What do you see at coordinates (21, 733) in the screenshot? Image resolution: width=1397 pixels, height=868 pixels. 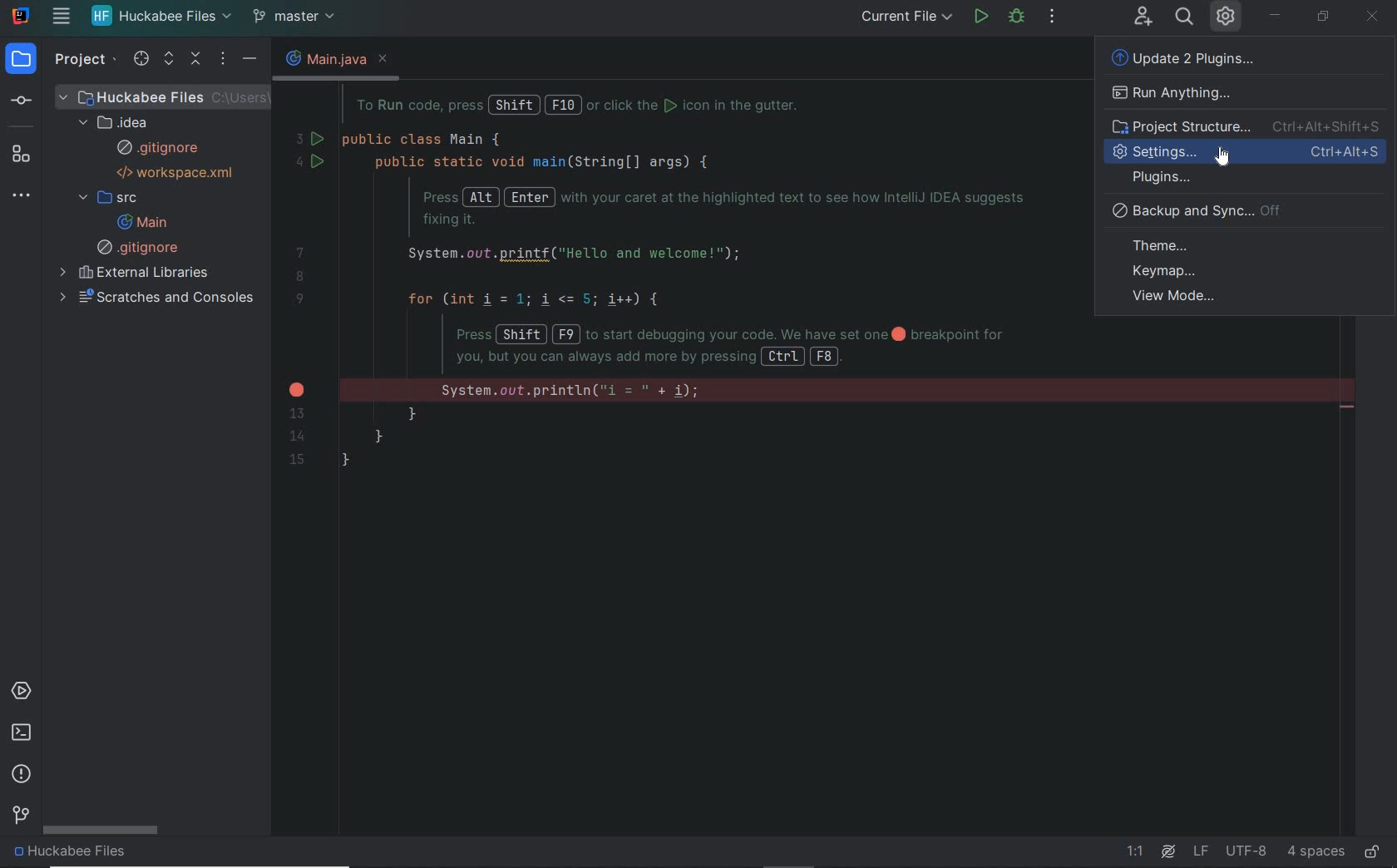 I see `terminal` at bounding box center [21, 733].